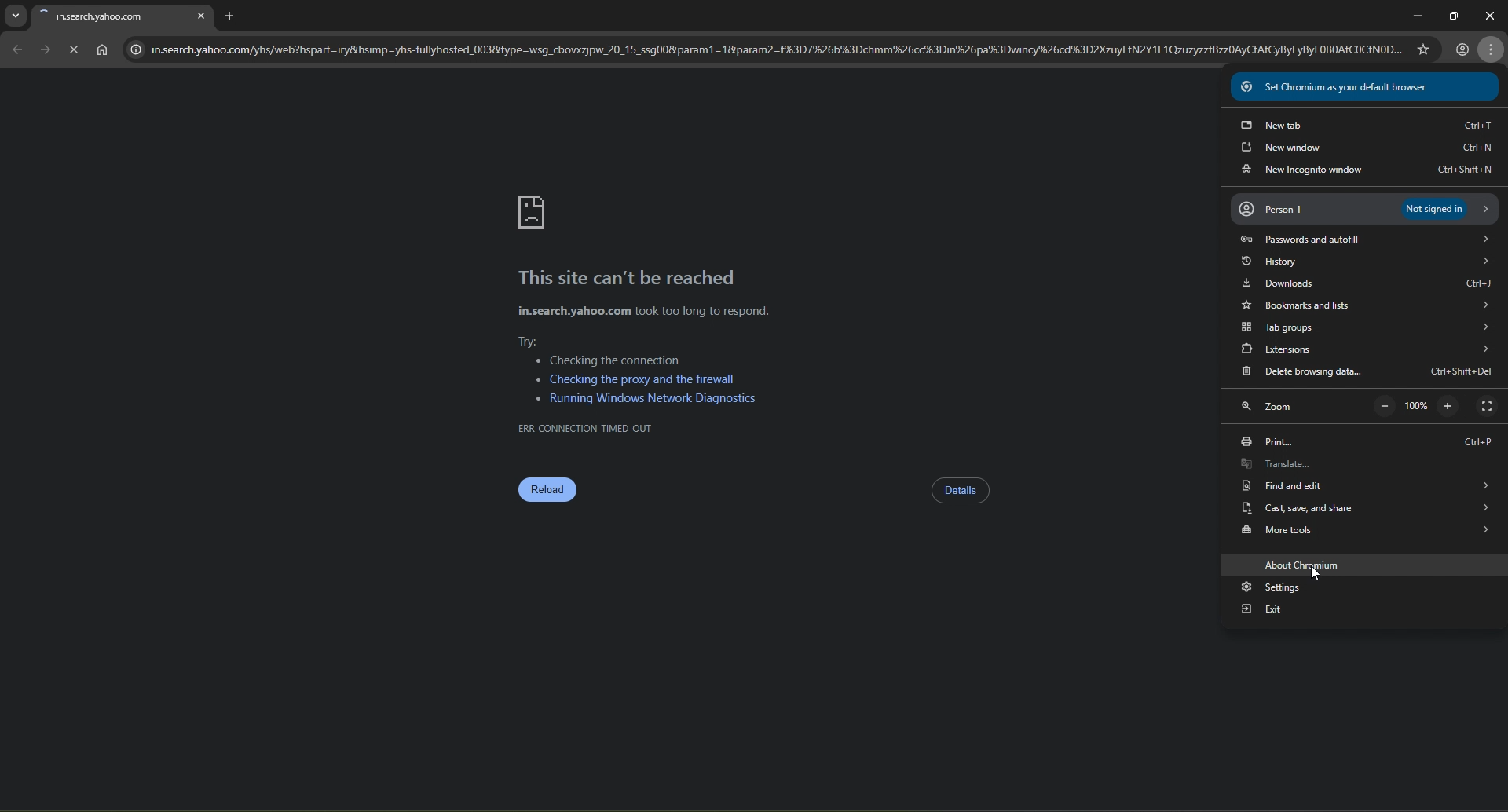 This screenshot has width=1508, height=812. What do you see at coordinates (547, 492) in the screenshot?
I see `reload` at bounding box center [547, 492].